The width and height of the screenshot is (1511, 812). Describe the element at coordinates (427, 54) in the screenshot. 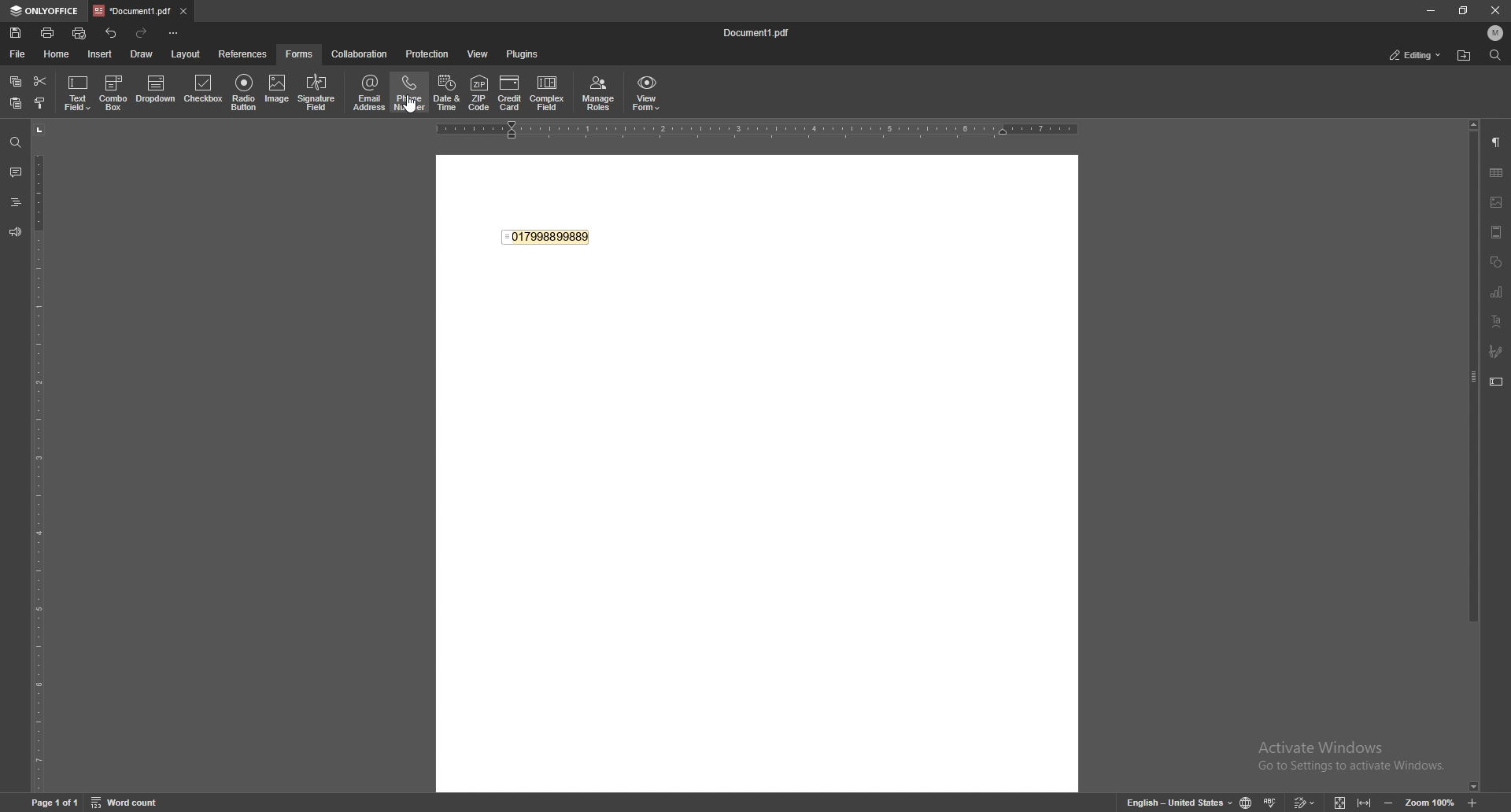

I see `protection` at that location.